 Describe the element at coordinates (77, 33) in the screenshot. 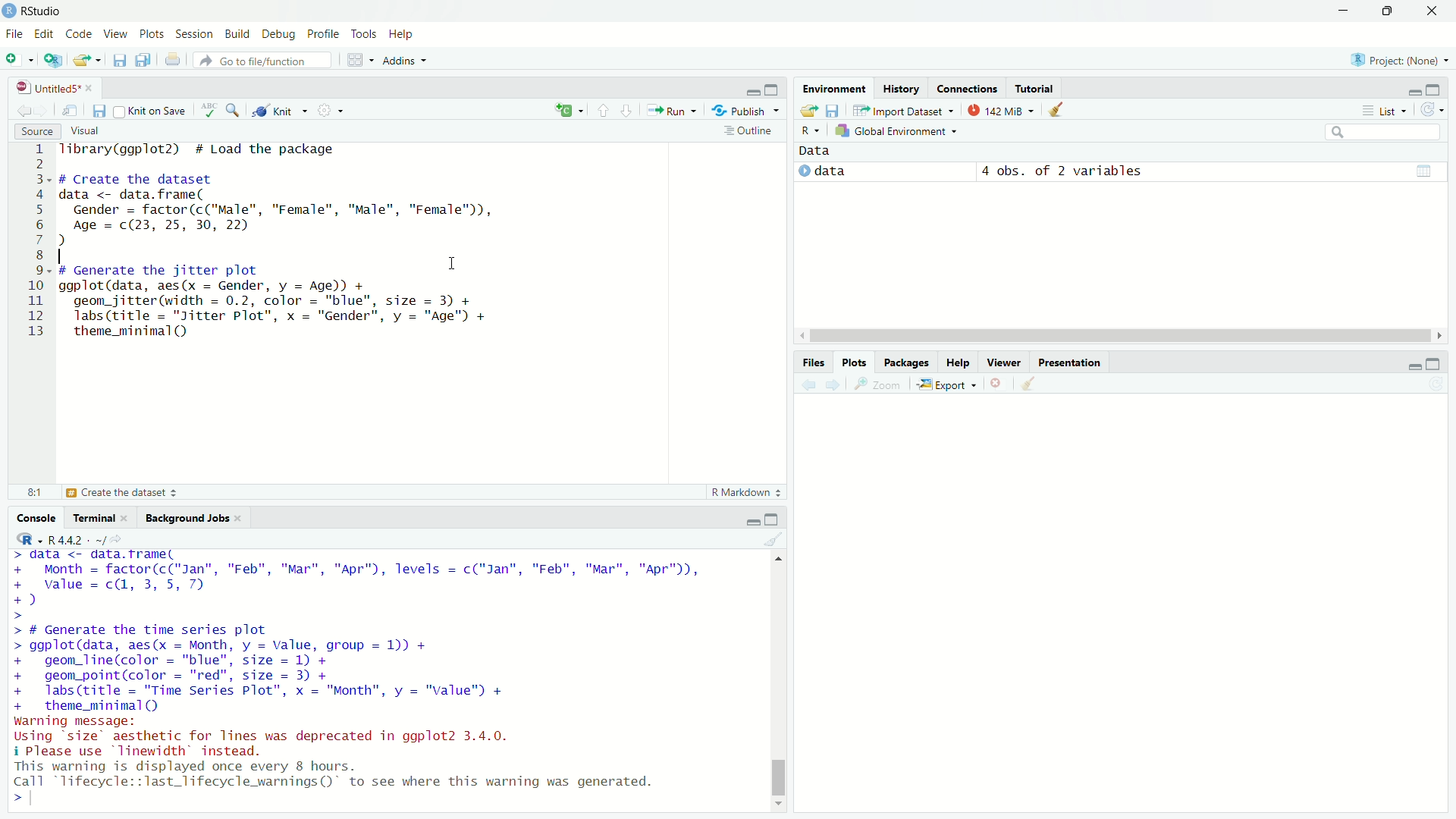

I see `code` at that location.